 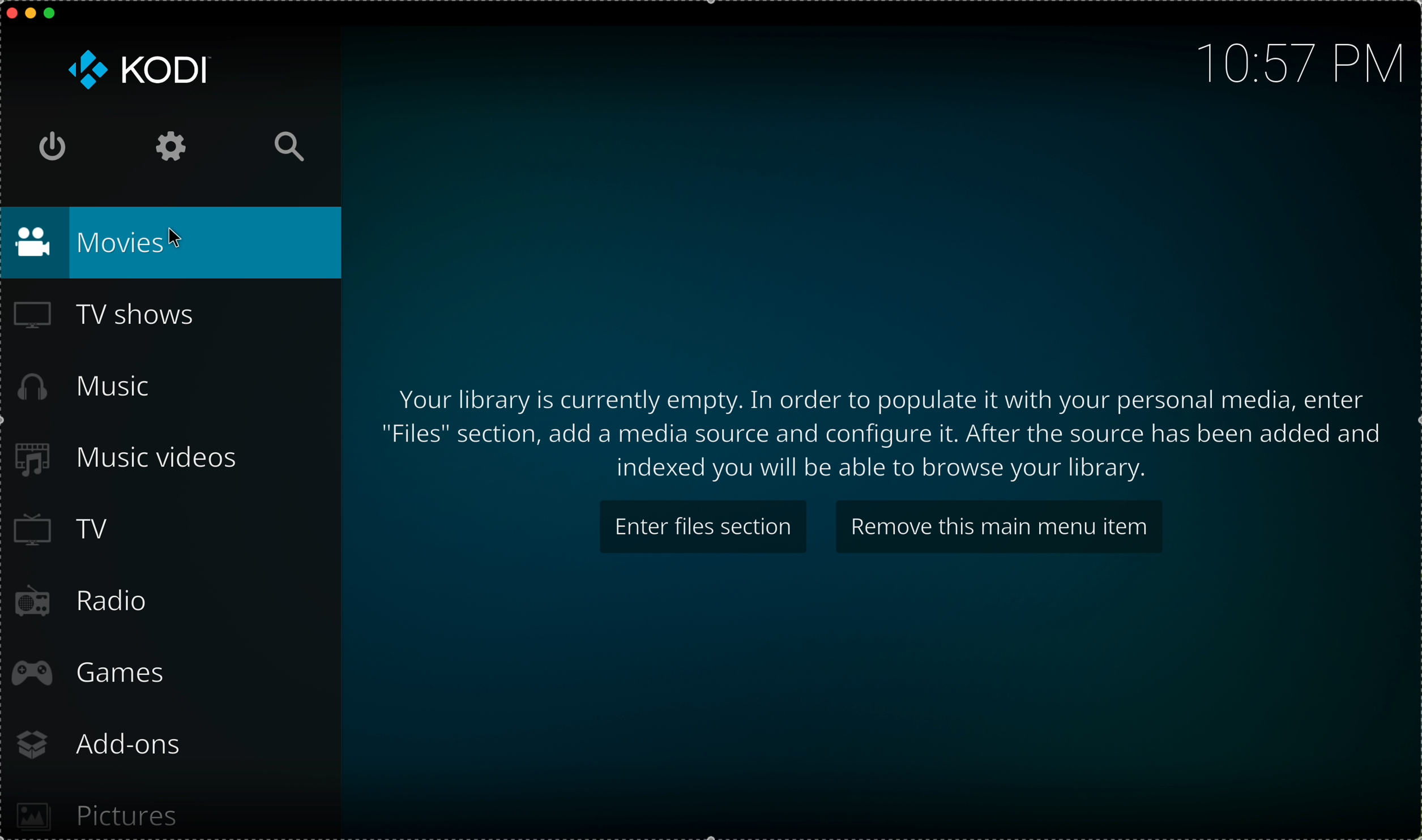 I want to click on music videos, so click(x=137, y=460).